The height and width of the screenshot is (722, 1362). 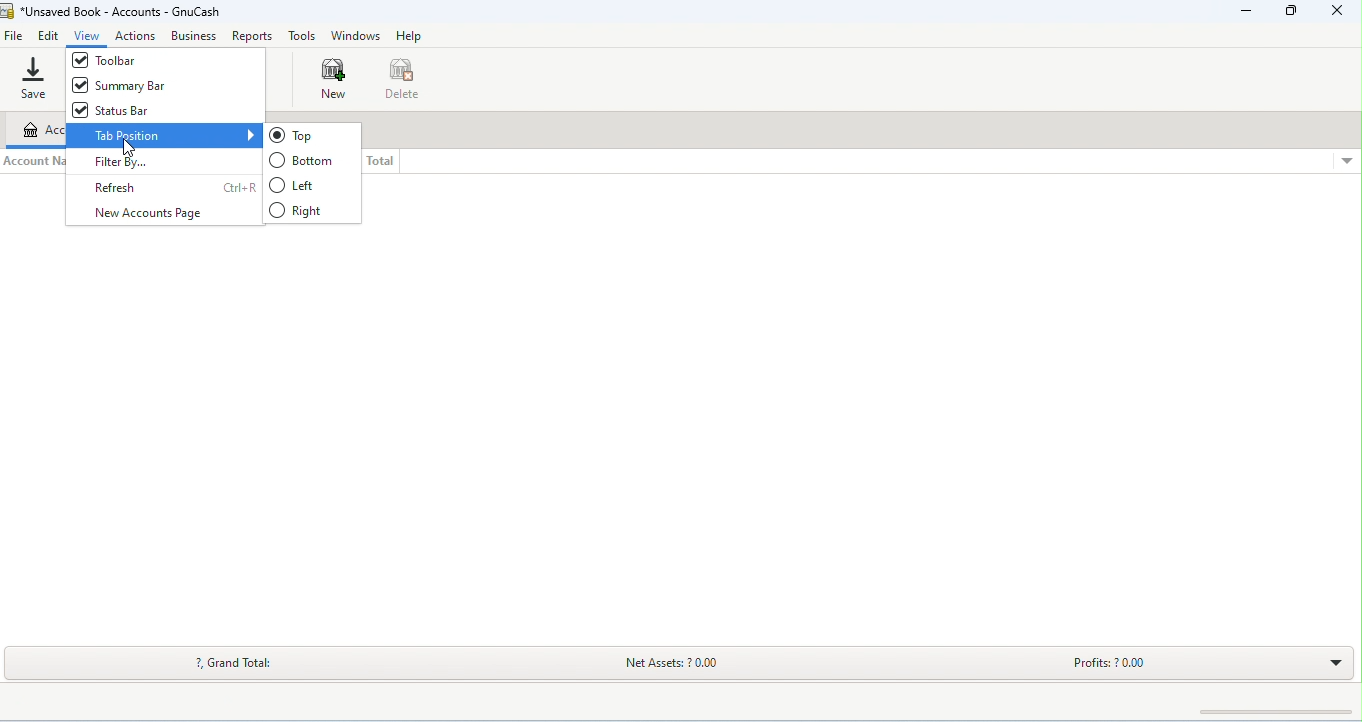 What do you see at coordinates (1339, 10) in the screenshot?
I see `close` at bounding box center [1339, 10].